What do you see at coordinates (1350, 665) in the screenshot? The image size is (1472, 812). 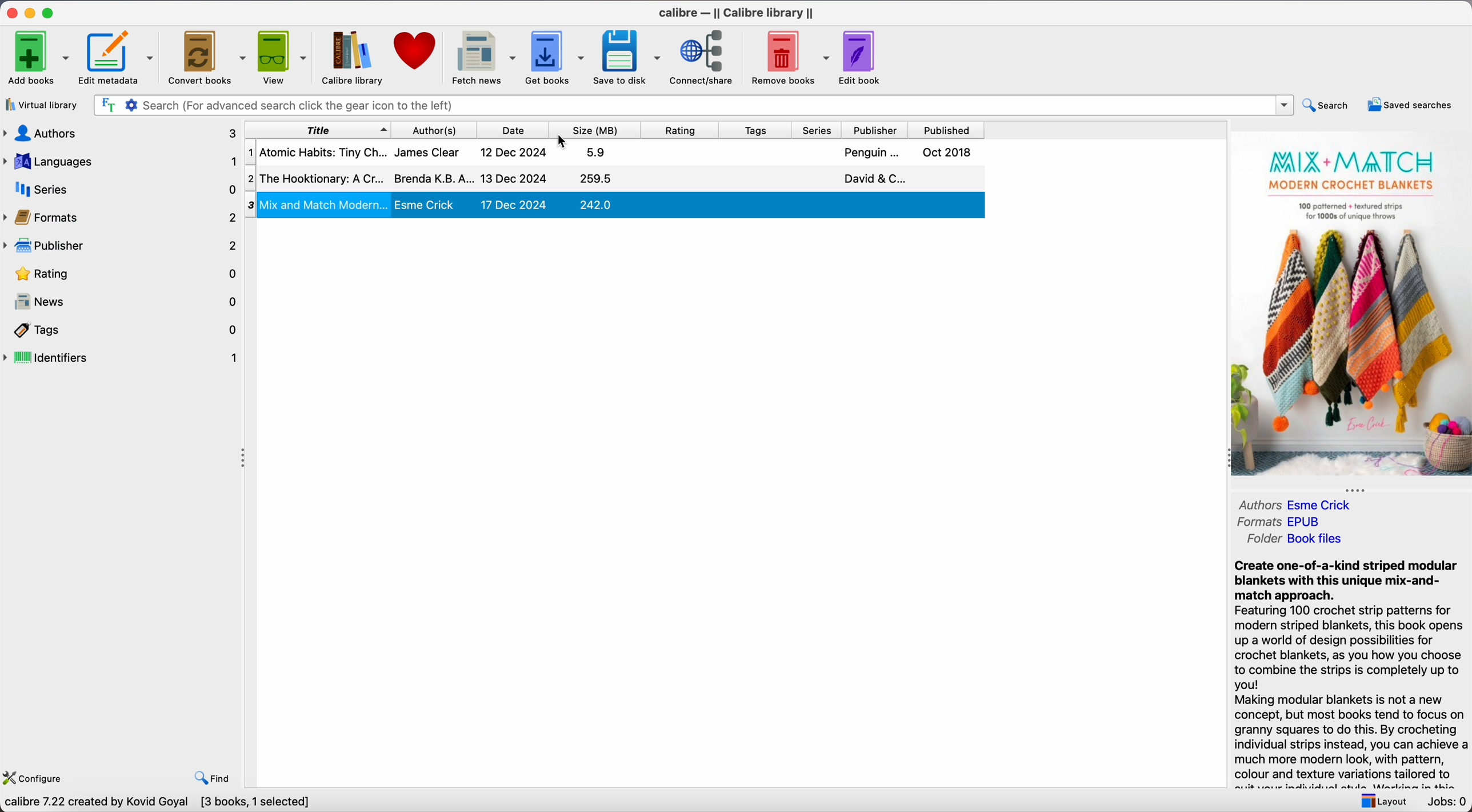 I see `synopsis` at bounding box center [1350, 665].